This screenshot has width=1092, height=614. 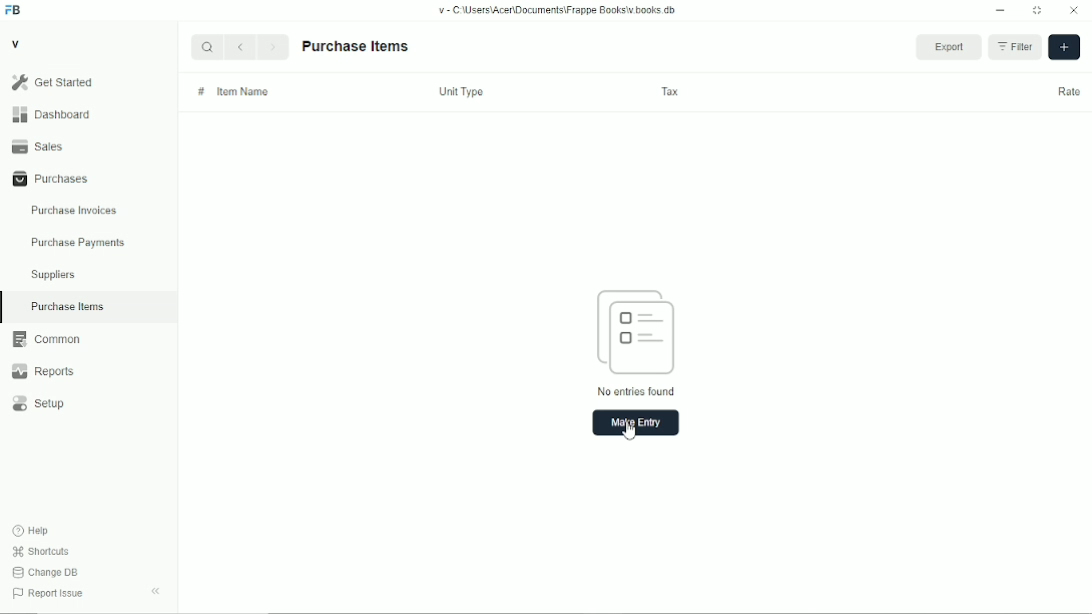 What do you see at coordinates (1074, 9) in the screenshot?
I see `Close` at bounding box center [1074, 9].